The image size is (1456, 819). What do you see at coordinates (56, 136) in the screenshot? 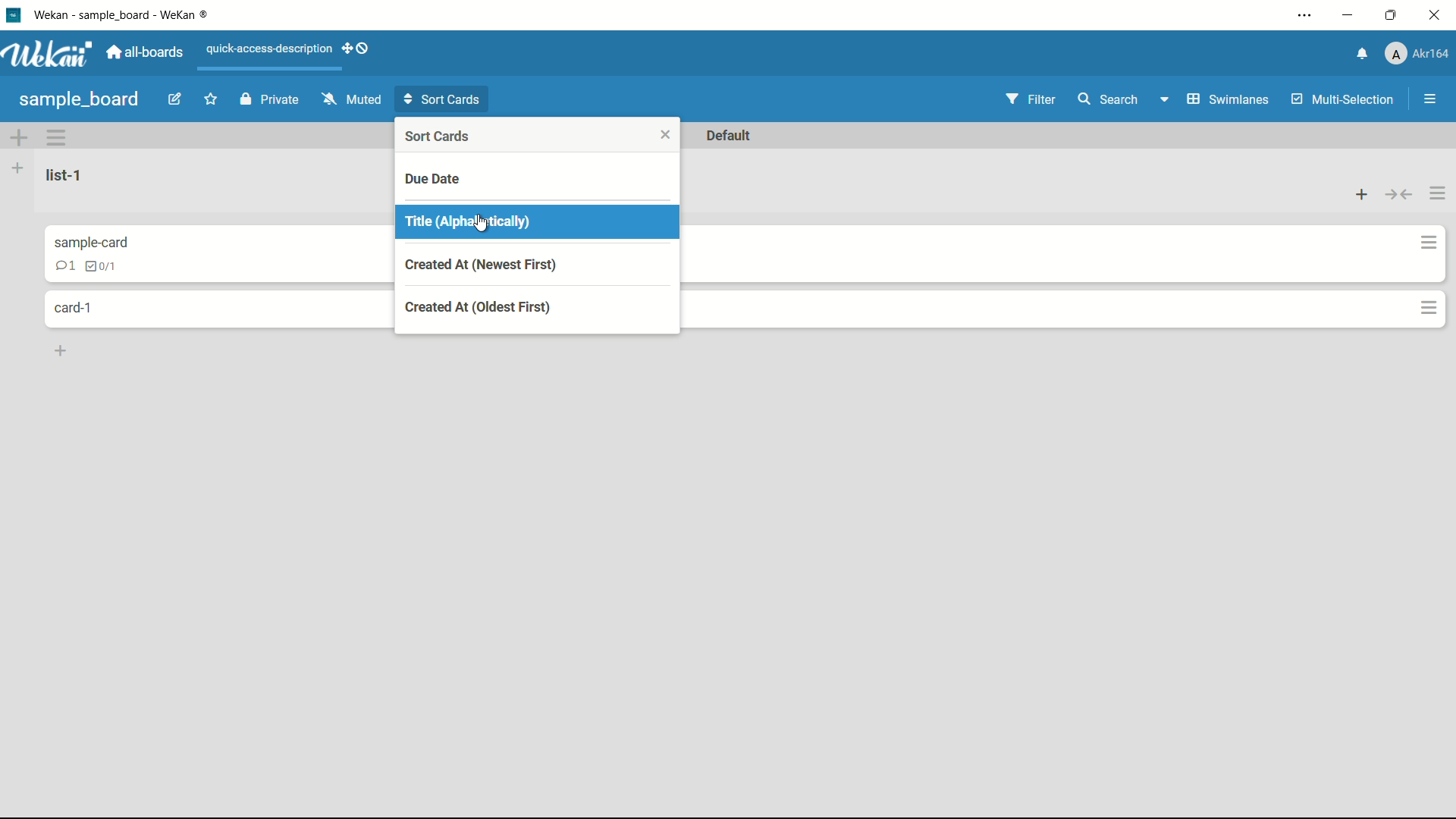
I see `card actions` at bounding box center [56, 136].